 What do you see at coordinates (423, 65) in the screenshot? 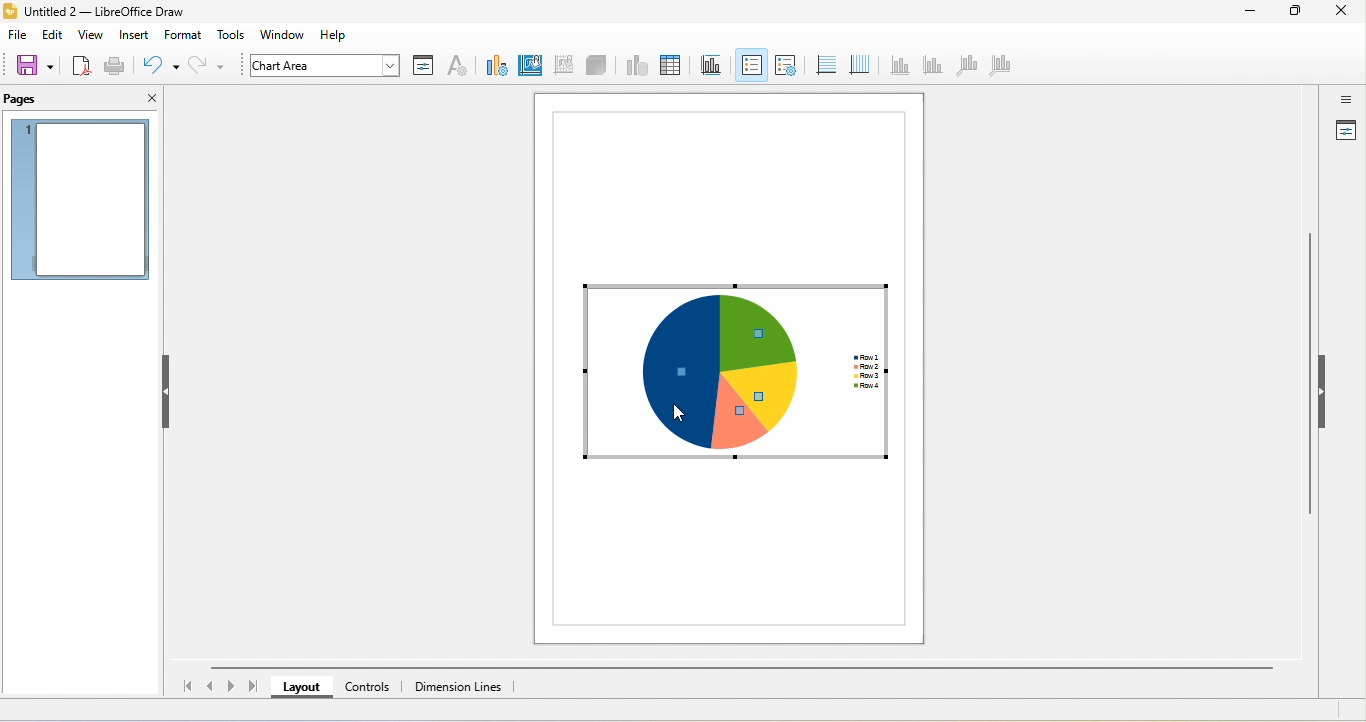
I see `format selection` at bounding box center [423, 65].